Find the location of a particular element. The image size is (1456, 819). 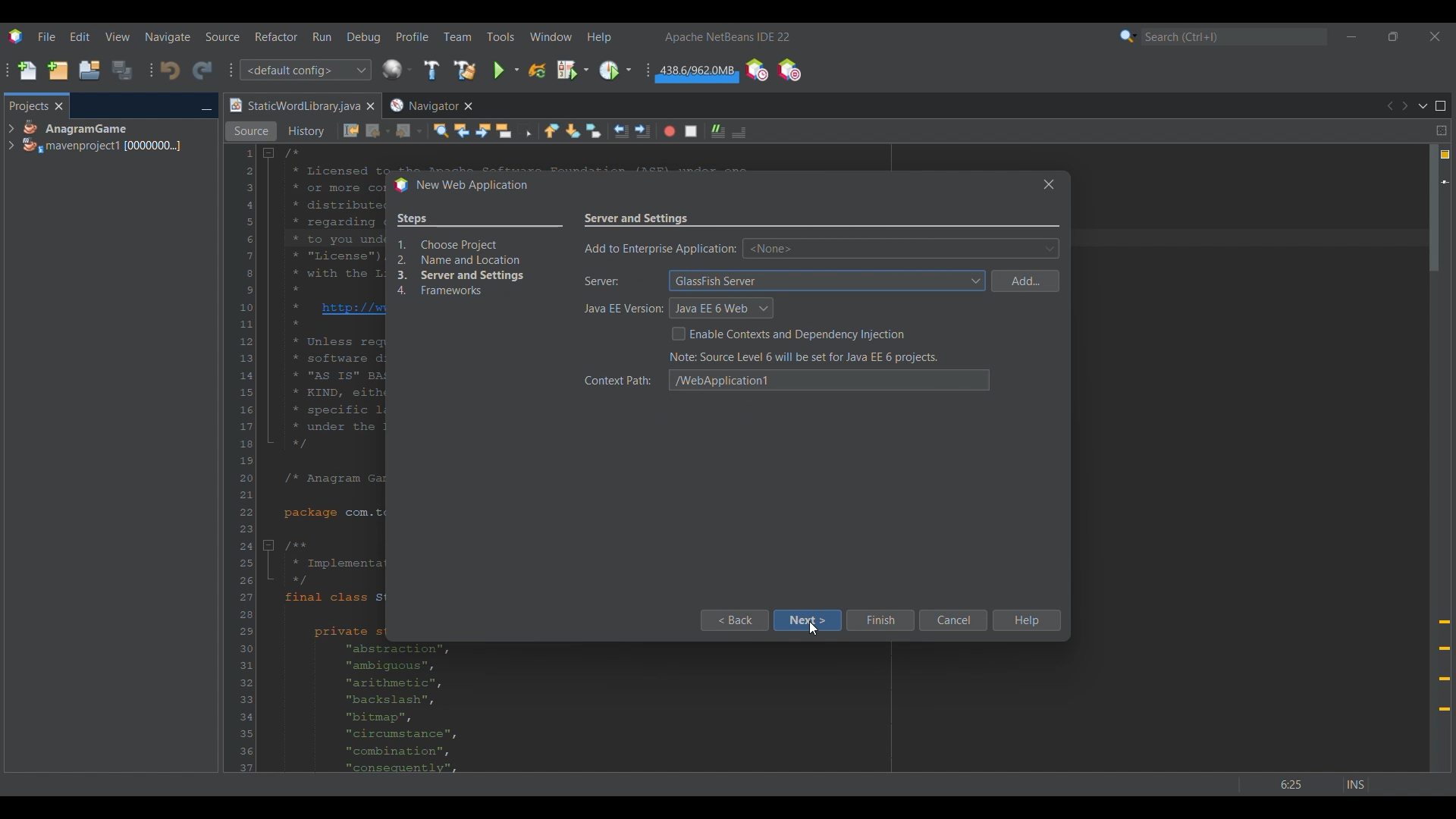

Software logo is located at coordinates (15, 36).